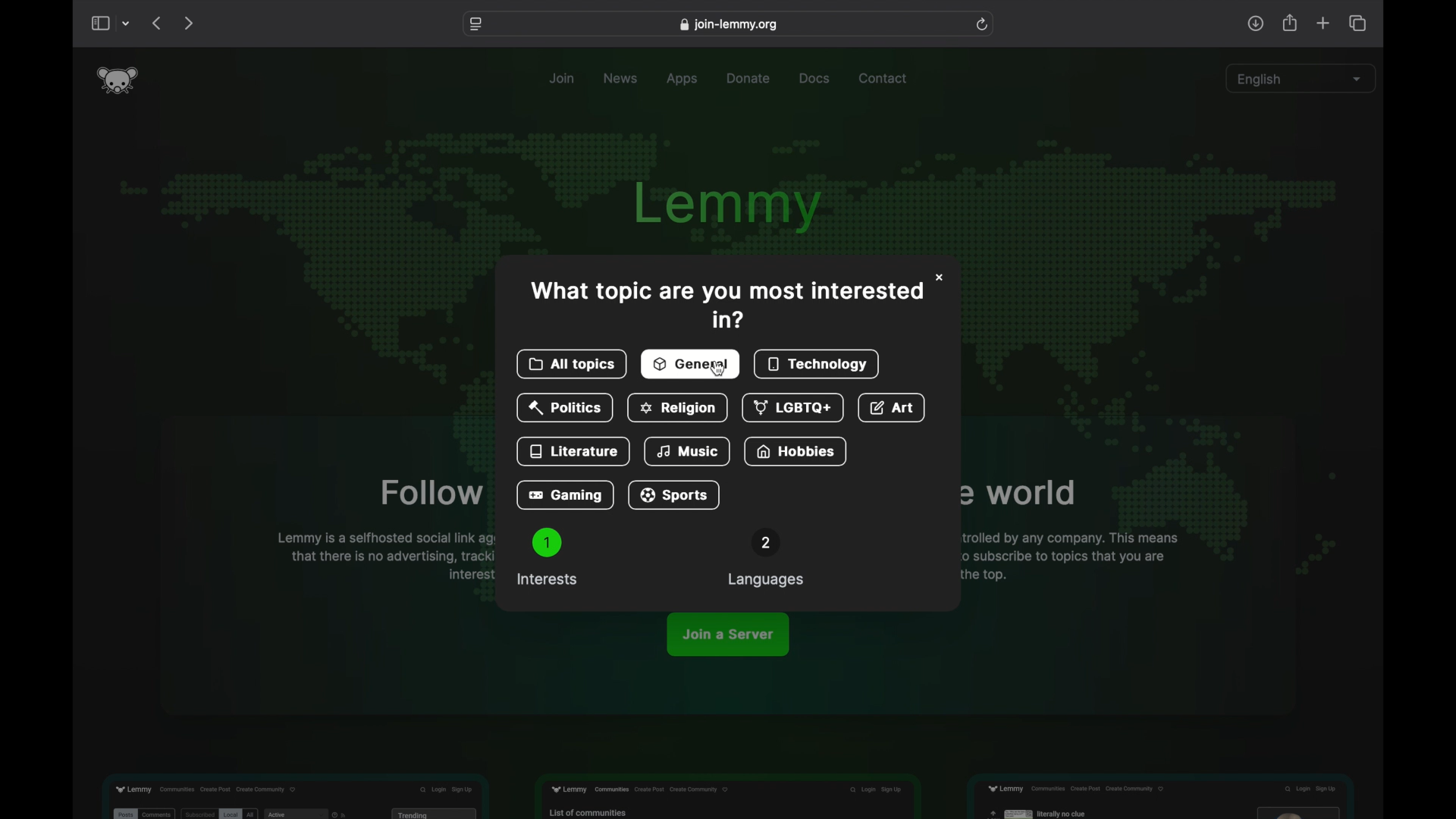 Image resolution: width=1456 pixels, height=819 pixels. Describe the element at coordinates (682, 80) in the screenshot. I see `apps` at that location.